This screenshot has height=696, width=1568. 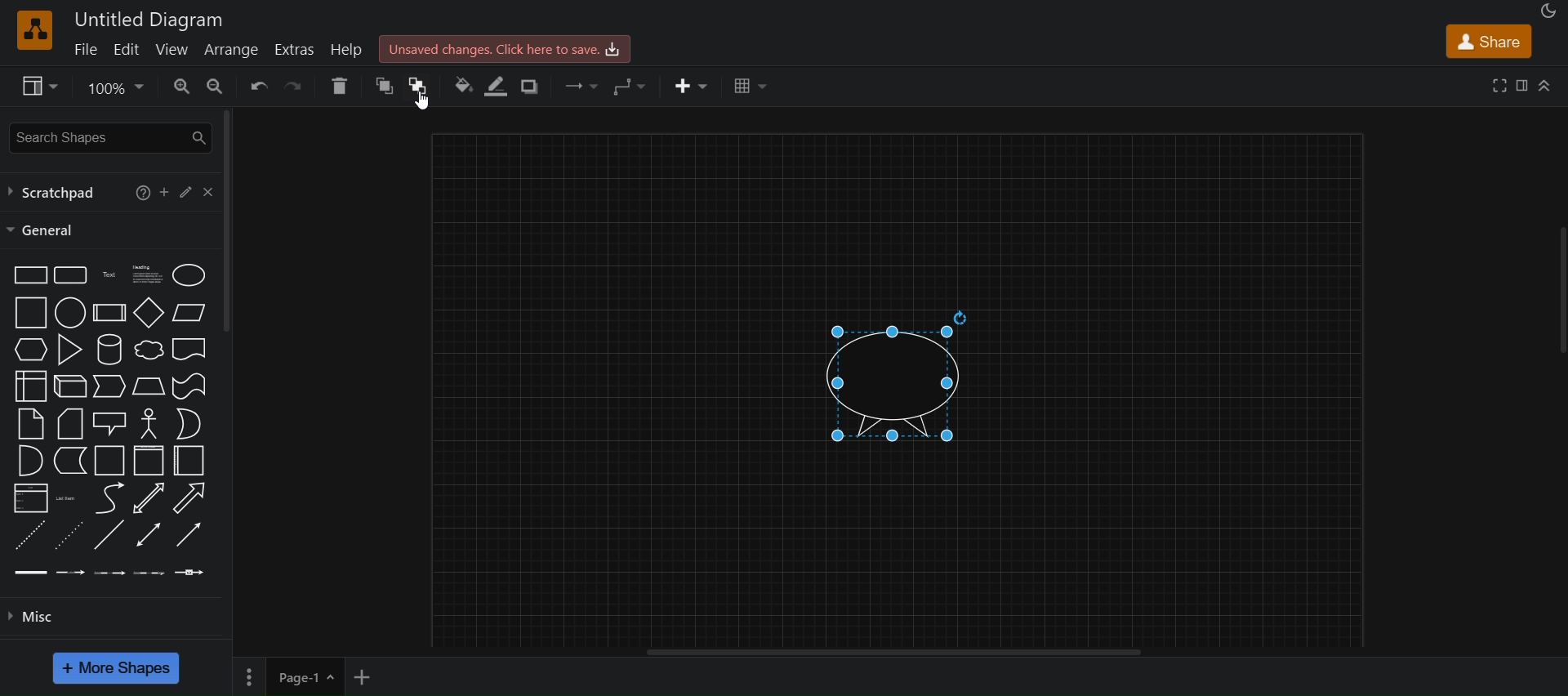 I want to click on diamond, so click(x=149, y=313).